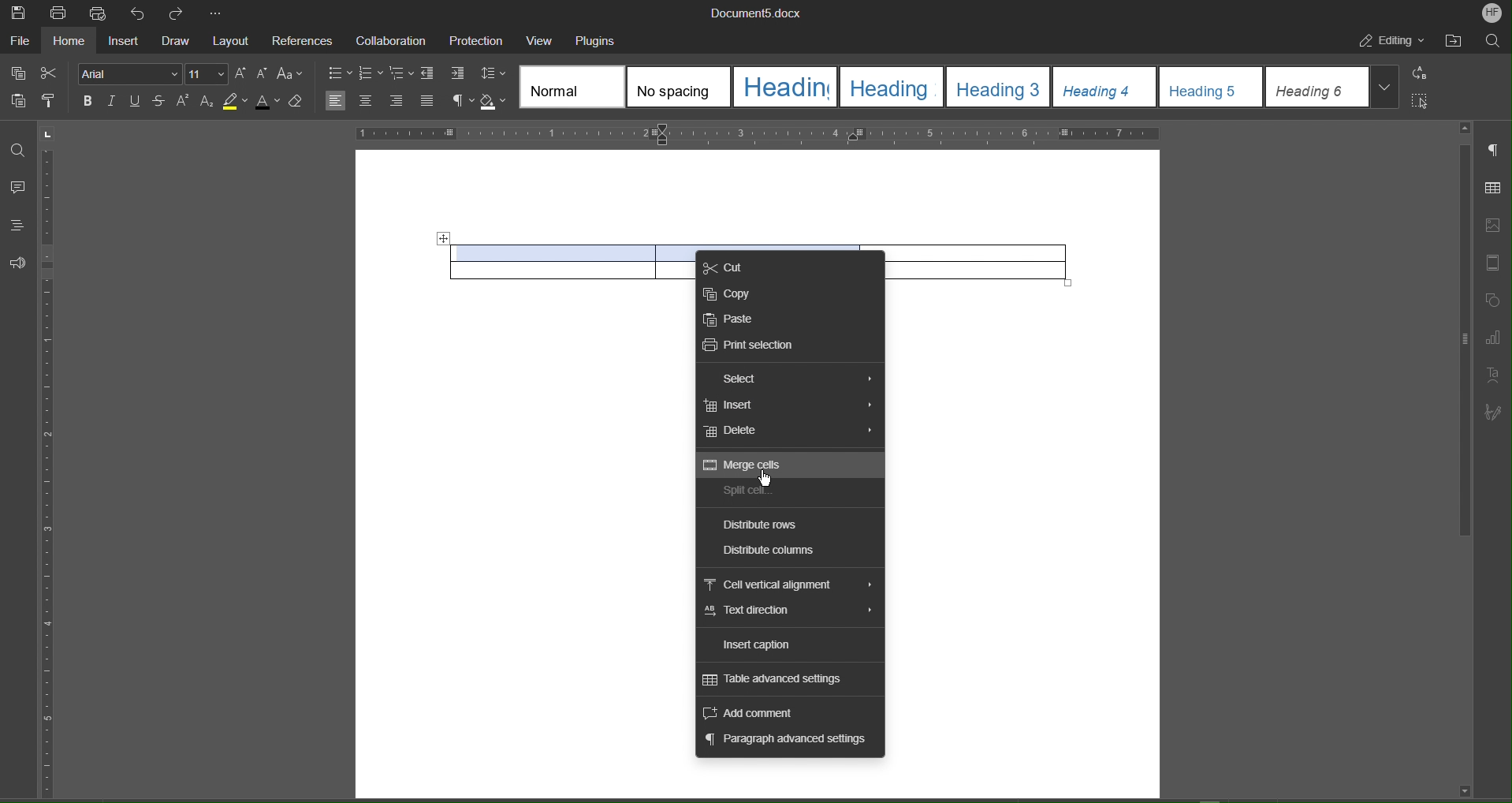 Image resolution: width=1512 pixels, height=803 pixels. Describe the element at coordinates (371, 75) in the screenshot. I see `numbering` at that location.